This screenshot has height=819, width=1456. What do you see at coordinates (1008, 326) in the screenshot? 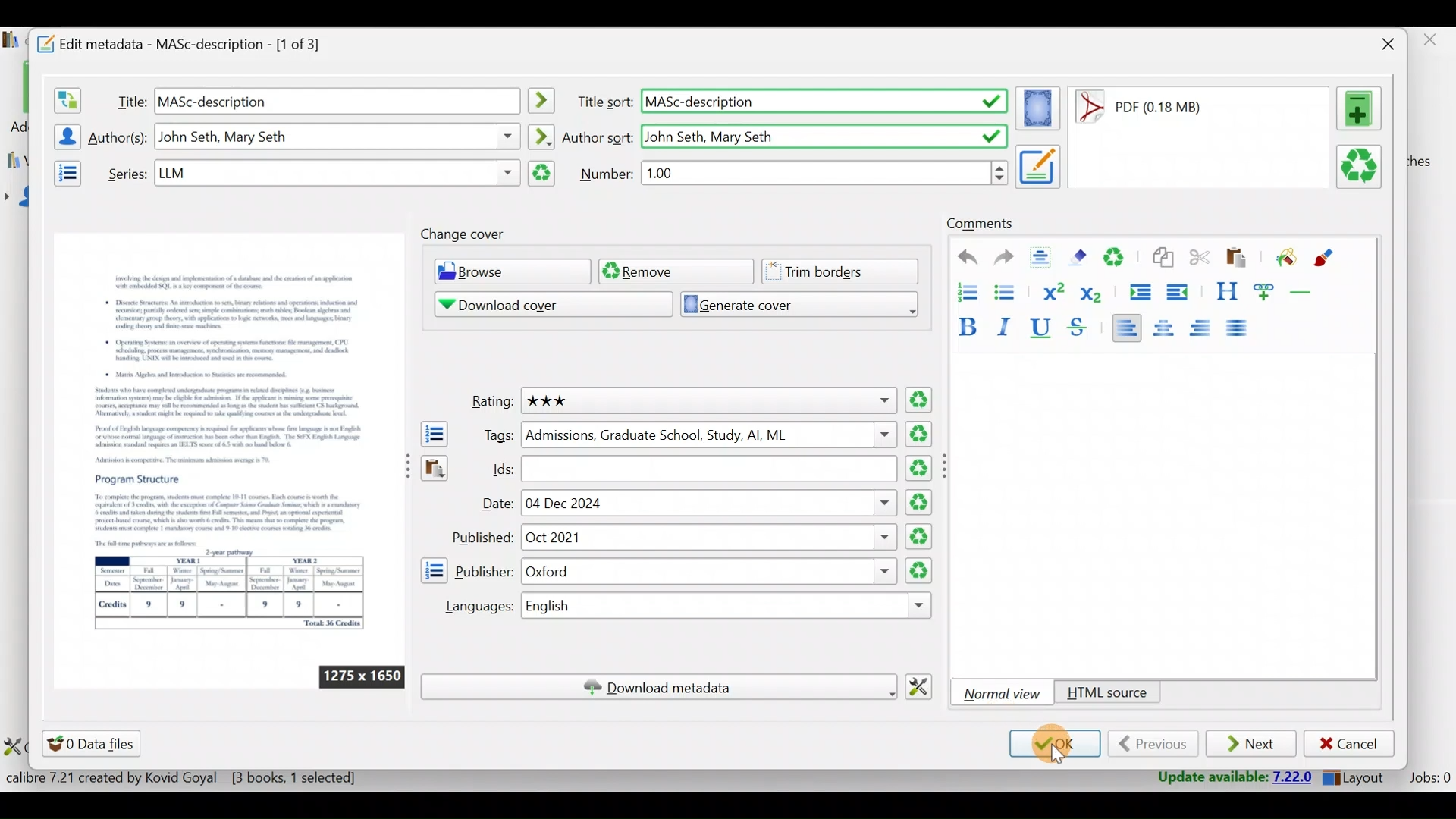
I see `Italic` at bounding box center [1008, 326].